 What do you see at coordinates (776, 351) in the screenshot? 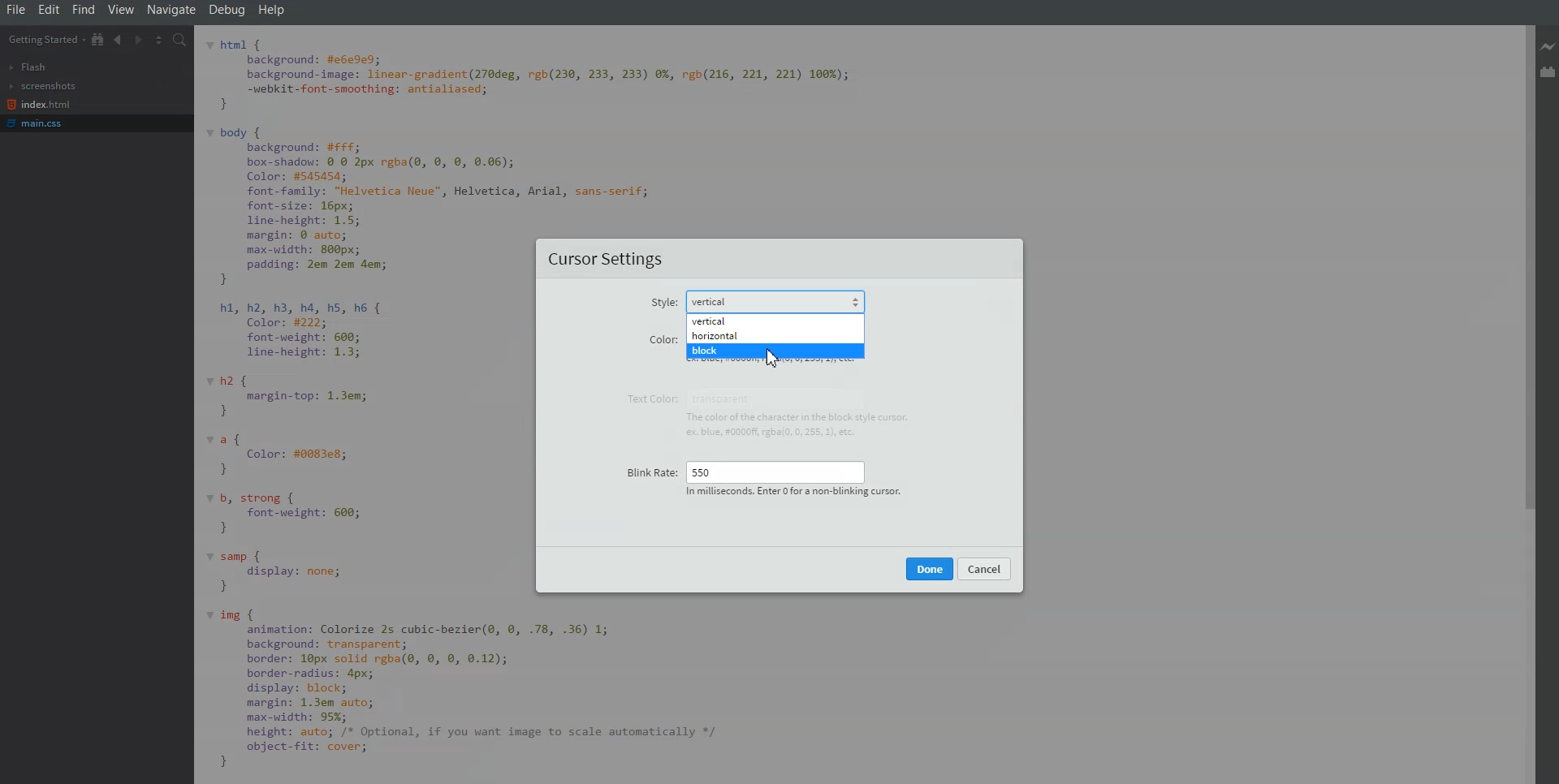
I see `Block` at bounding box center [776, 351].